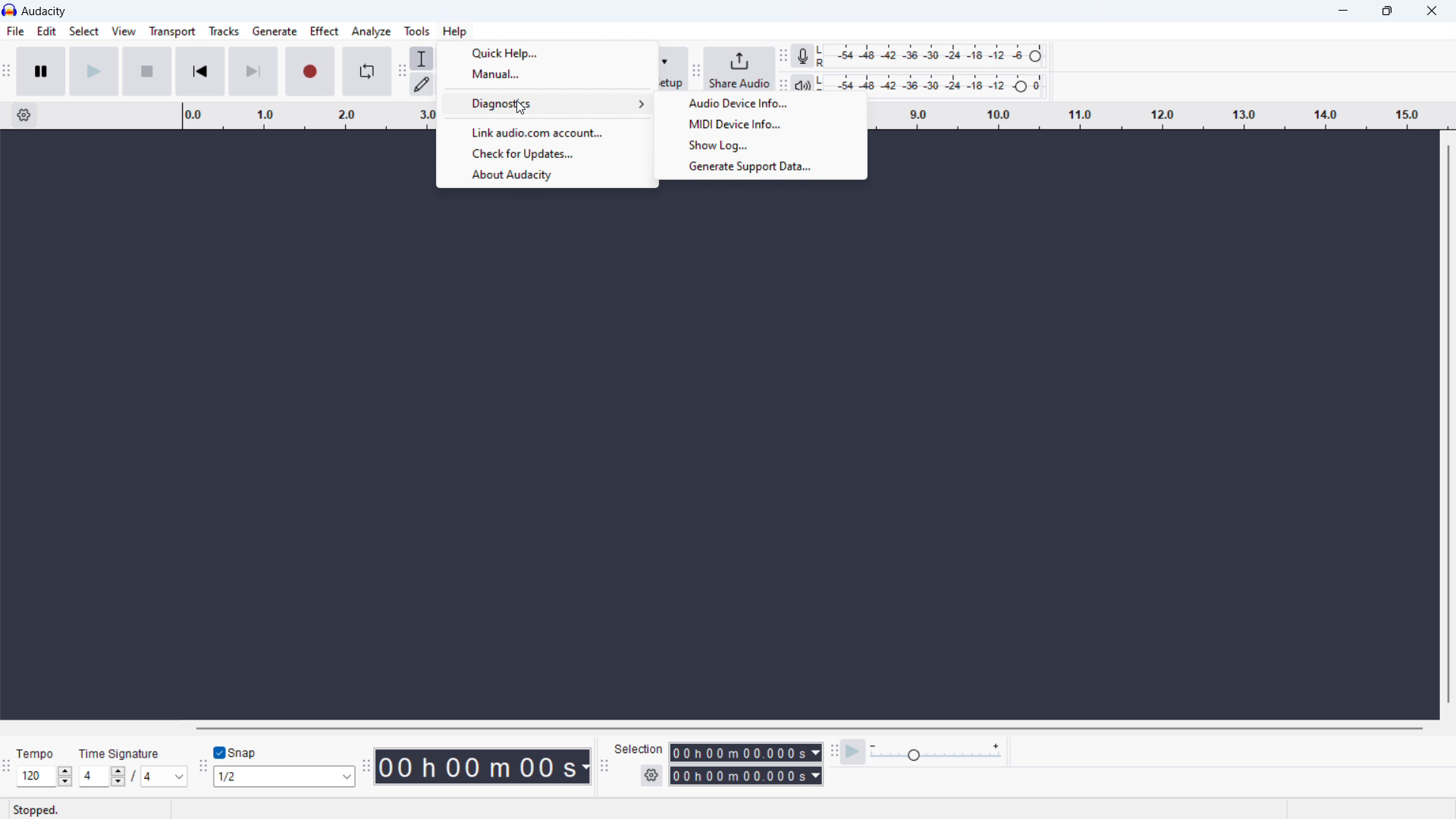  Describe the element at coordinates (325, 30) in the screenshot. I see `effect` at that location.